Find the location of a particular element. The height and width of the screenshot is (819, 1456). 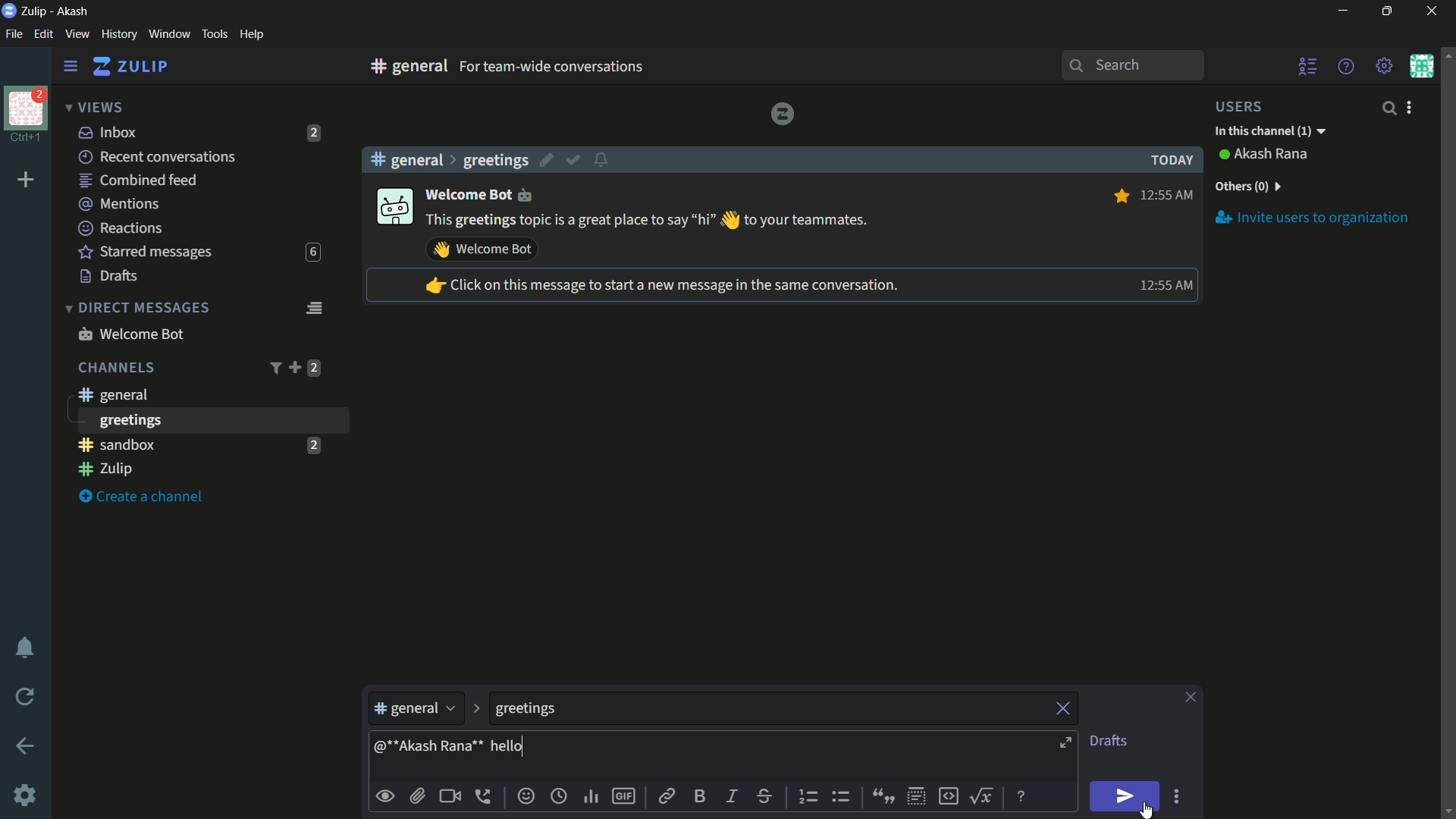

file menu is located at coordinates (14, 35).